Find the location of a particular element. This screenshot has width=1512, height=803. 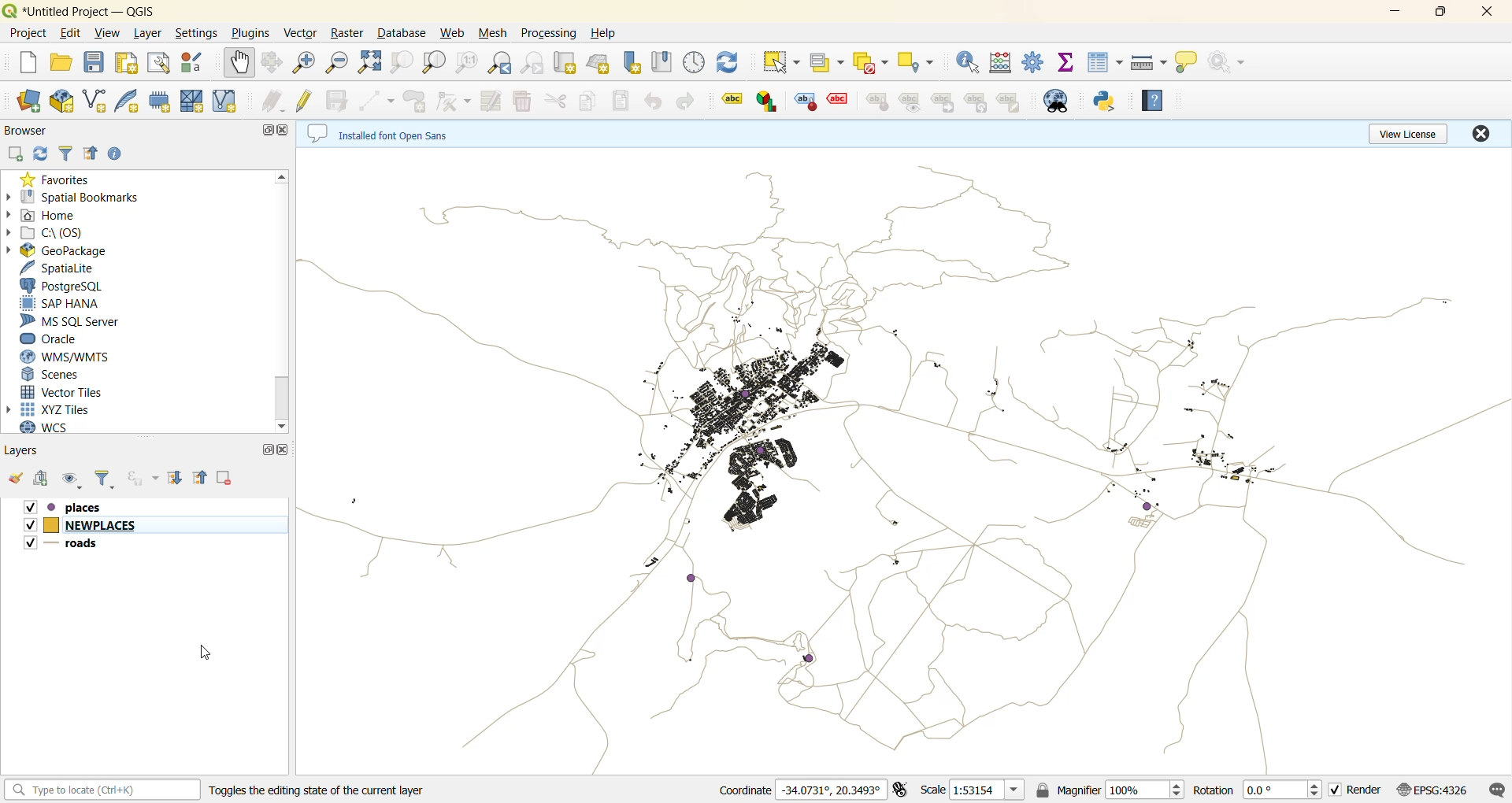

undo is located at coordinates (652, 102).